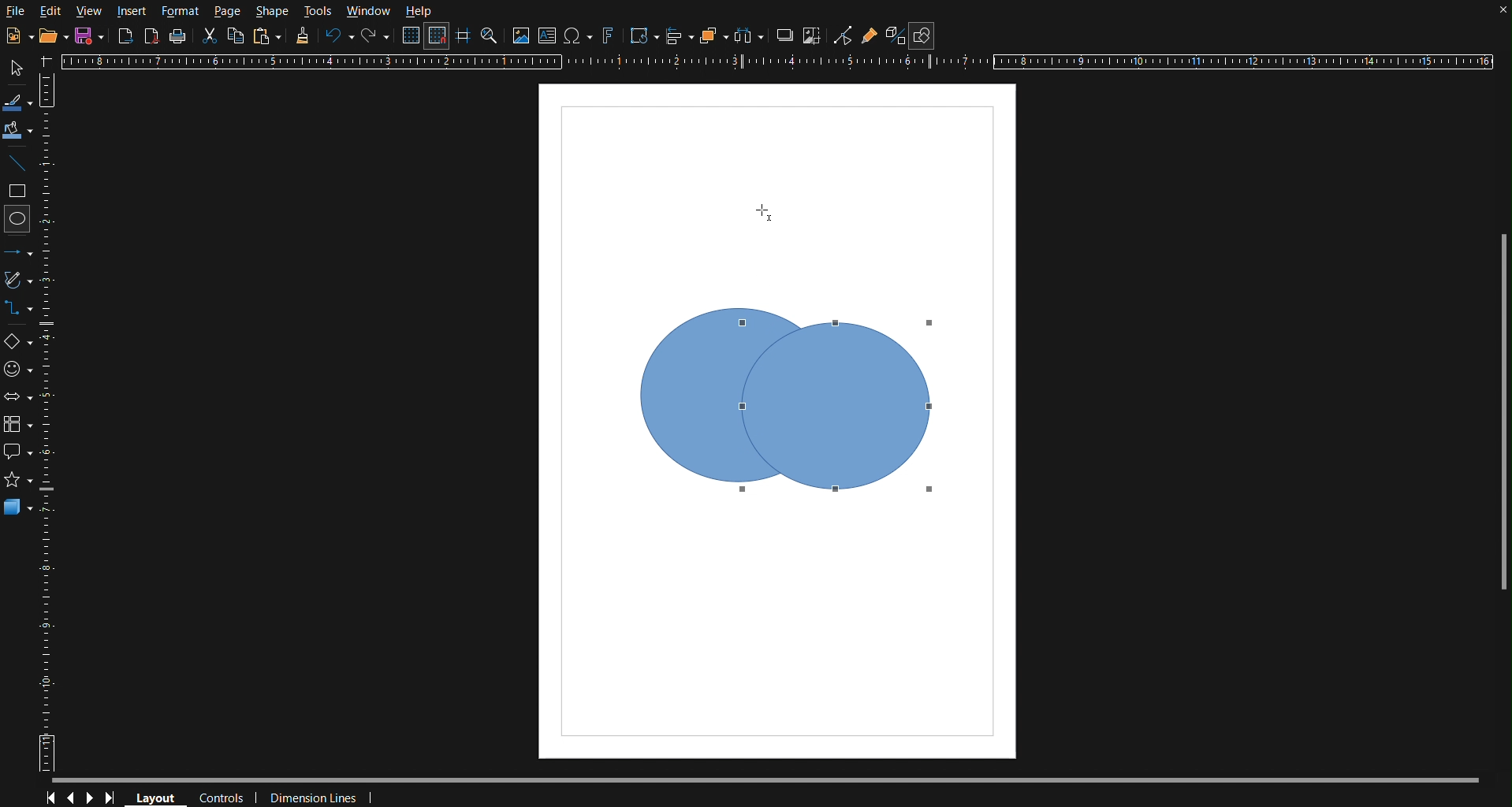 This screenshot has width=1512, height=807. Describe the element at coordinates (785, 36) in the screenshot. I see `Shadow` at that location.